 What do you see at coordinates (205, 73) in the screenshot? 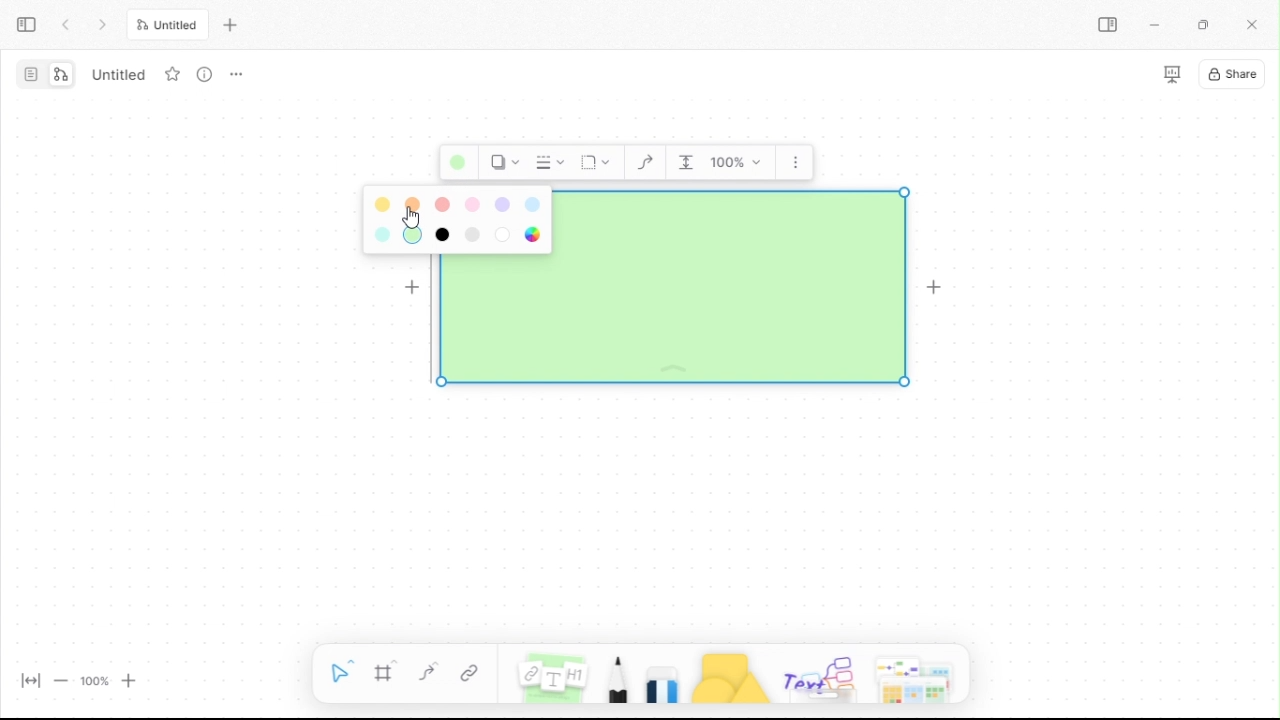
I see `more info` at bounding box center [205, 73].